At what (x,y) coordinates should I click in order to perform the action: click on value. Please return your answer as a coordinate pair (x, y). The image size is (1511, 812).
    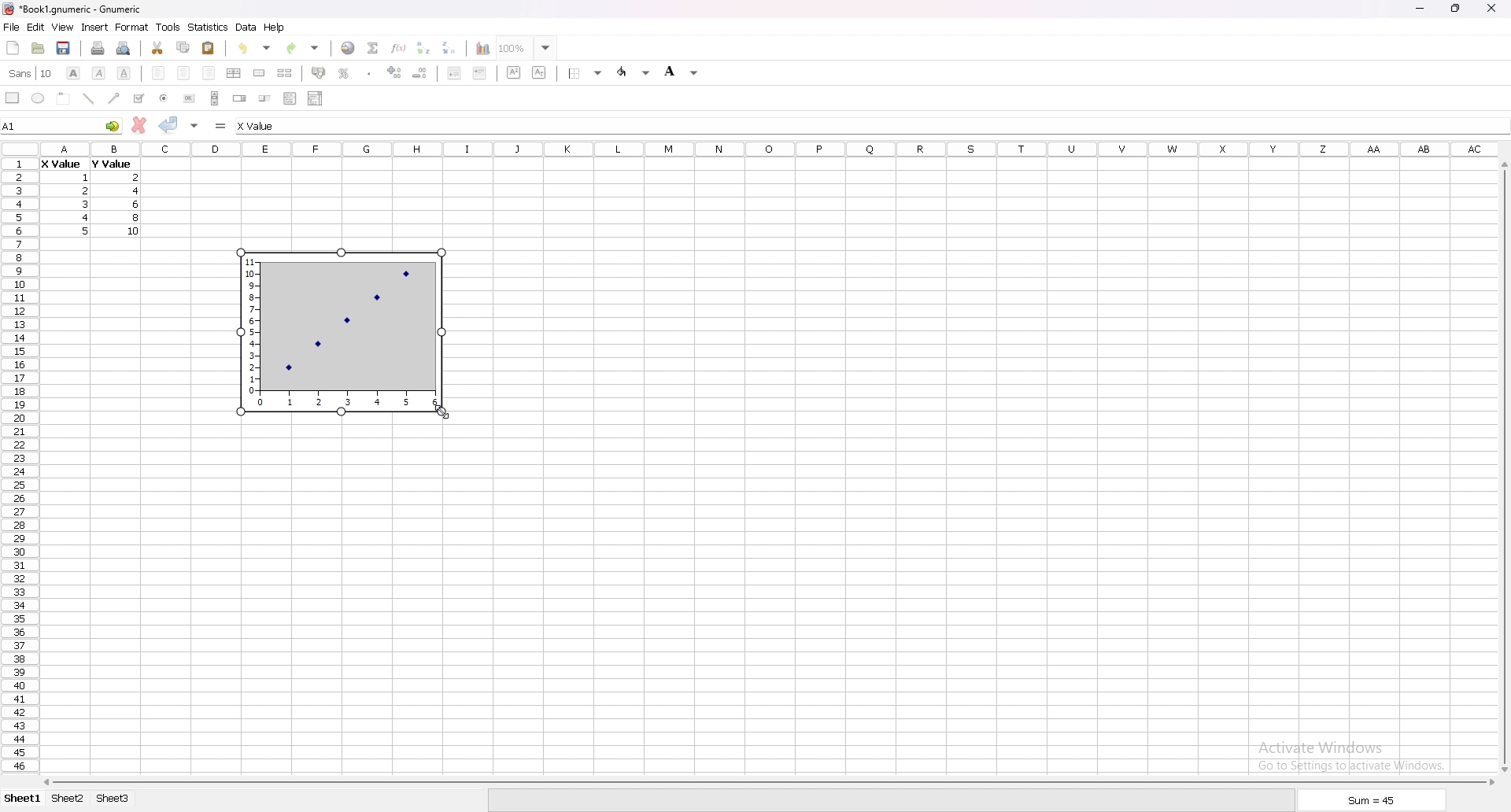
    Looking at the image, I should click on (135, 231).